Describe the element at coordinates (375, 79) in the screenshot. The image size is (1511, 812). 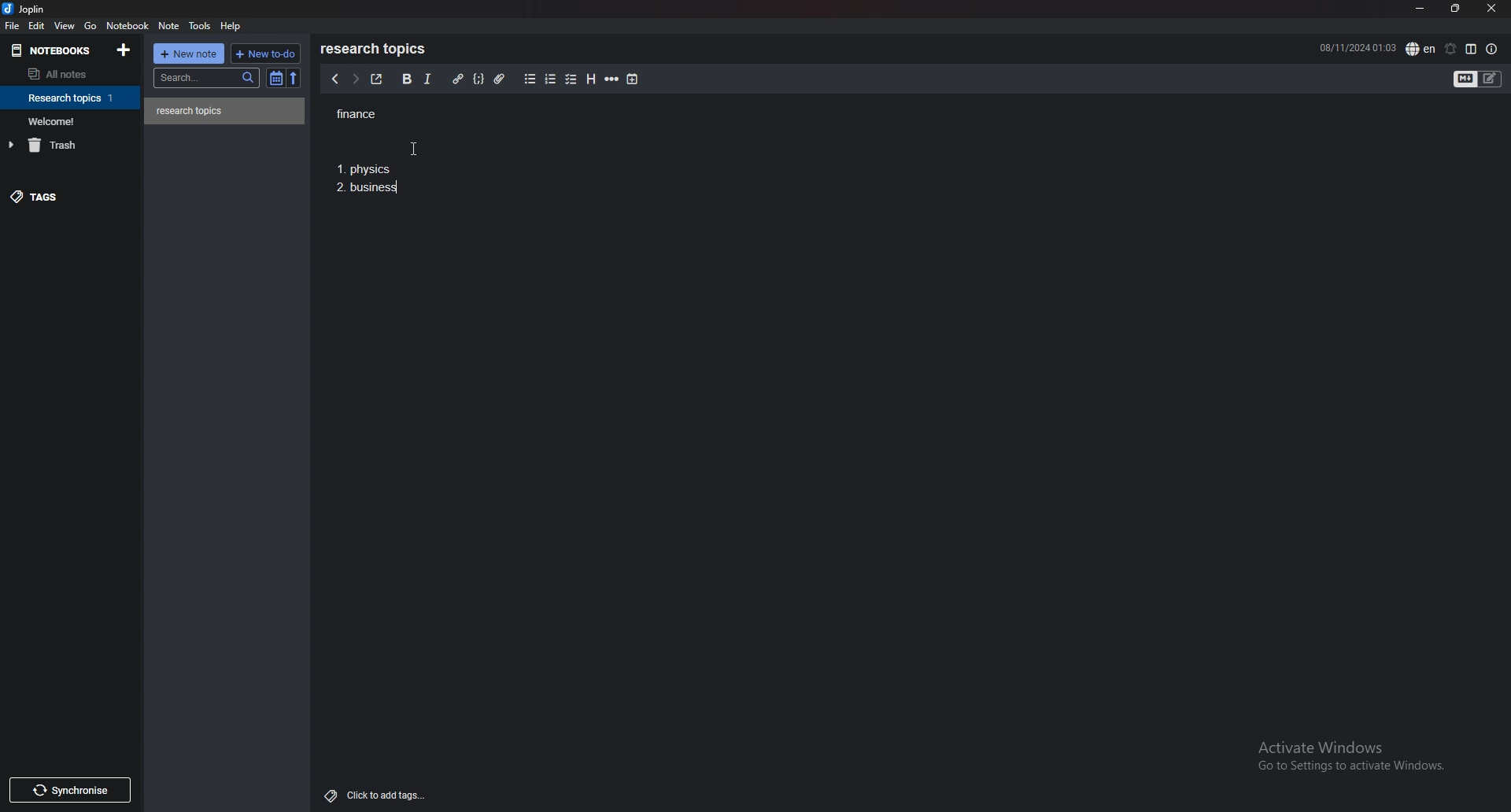
I see `toggle external editor` at that location.